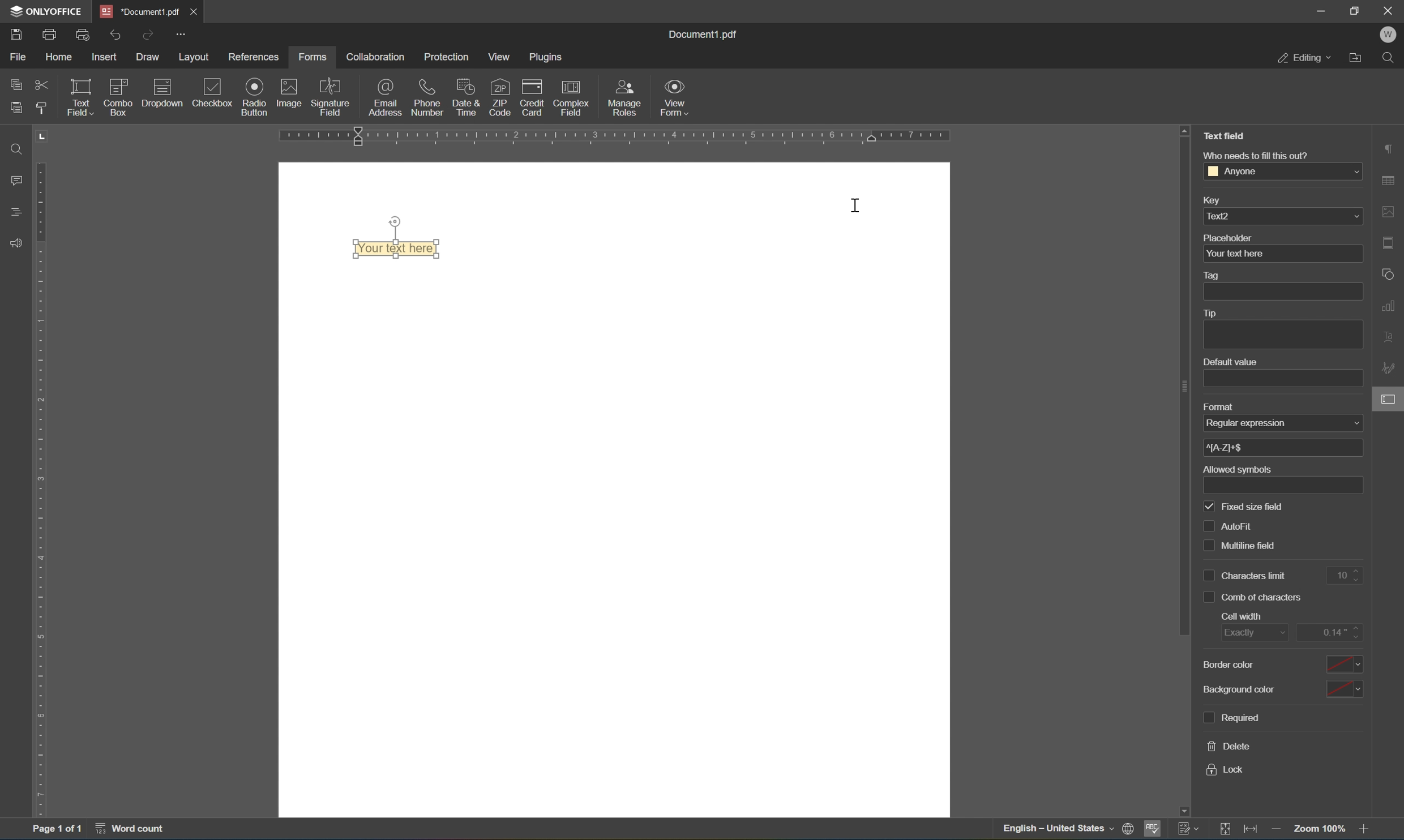 The image size is (1404, 840). What do you see at coordinates (15, 56) in the screenshot?
I see `file` at bounding box center [15, 56].